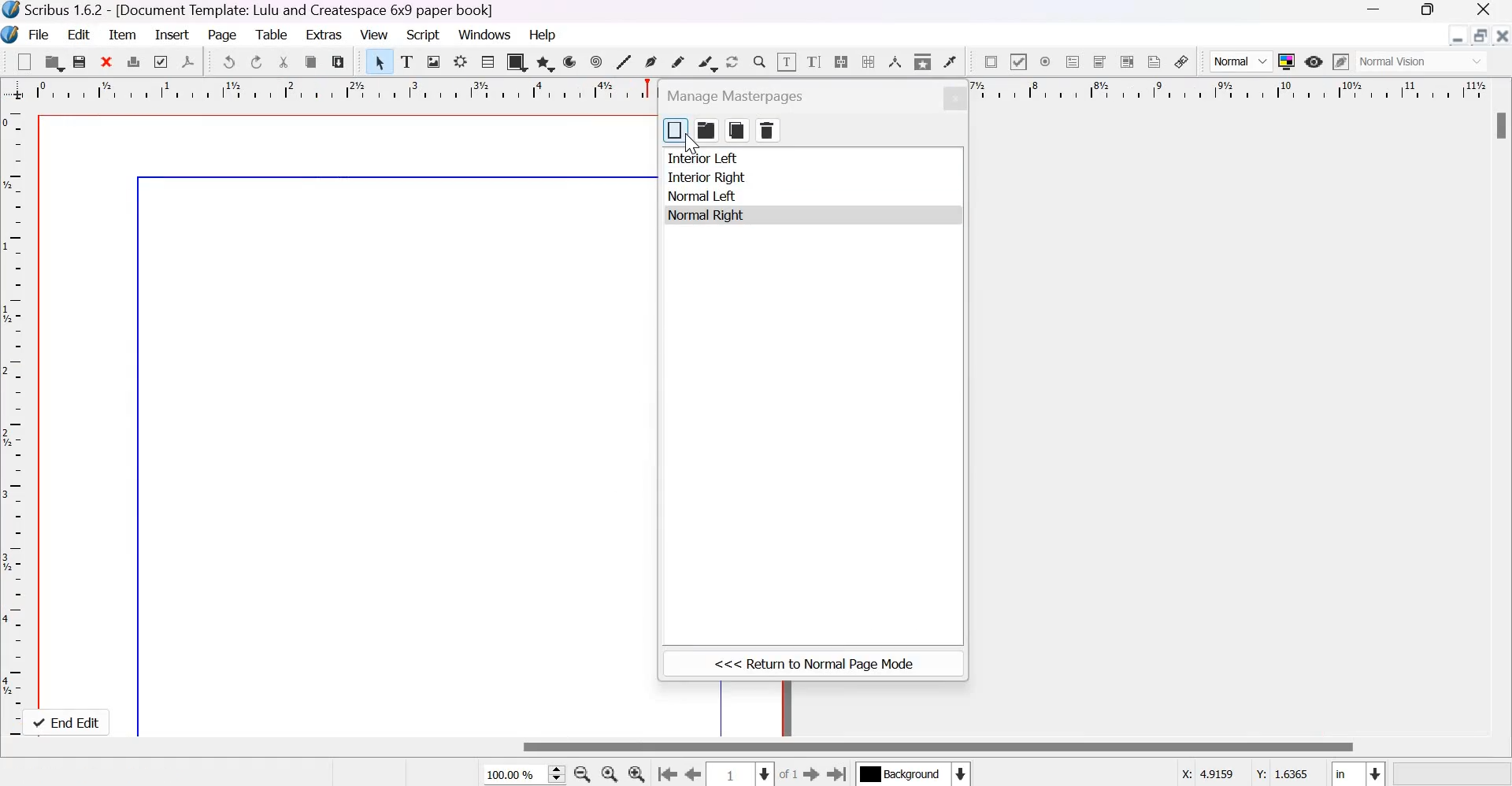 Image resolution: width=1512 pixels, height=786 pixels. Describe the element at coordinates (788, 774) in the screenshot. I see `of 1` at that location.